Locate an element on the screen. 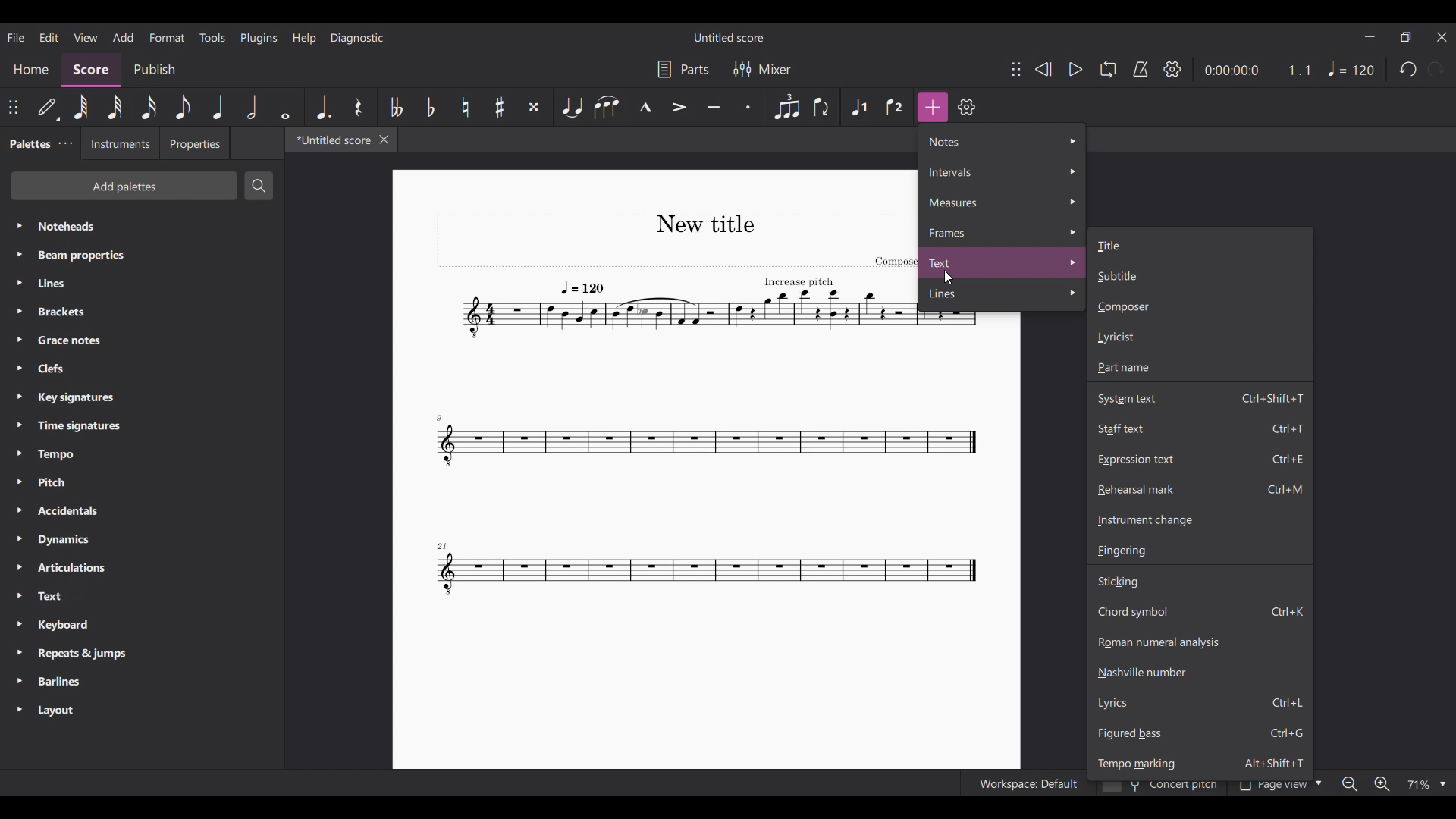  Add menu is located at coordinates (124, 38).